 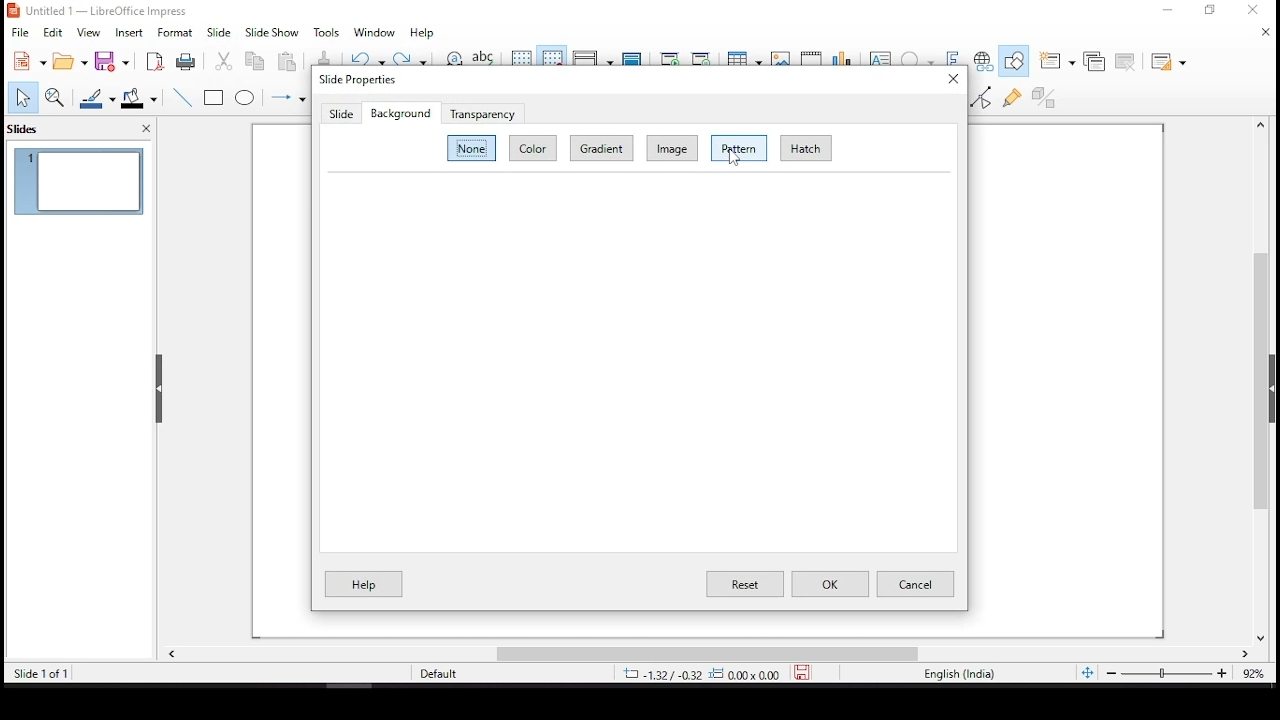 What do you see at coordinates (90, 33) in the screenshot?
I see `view` at bounding box center [90, 33].